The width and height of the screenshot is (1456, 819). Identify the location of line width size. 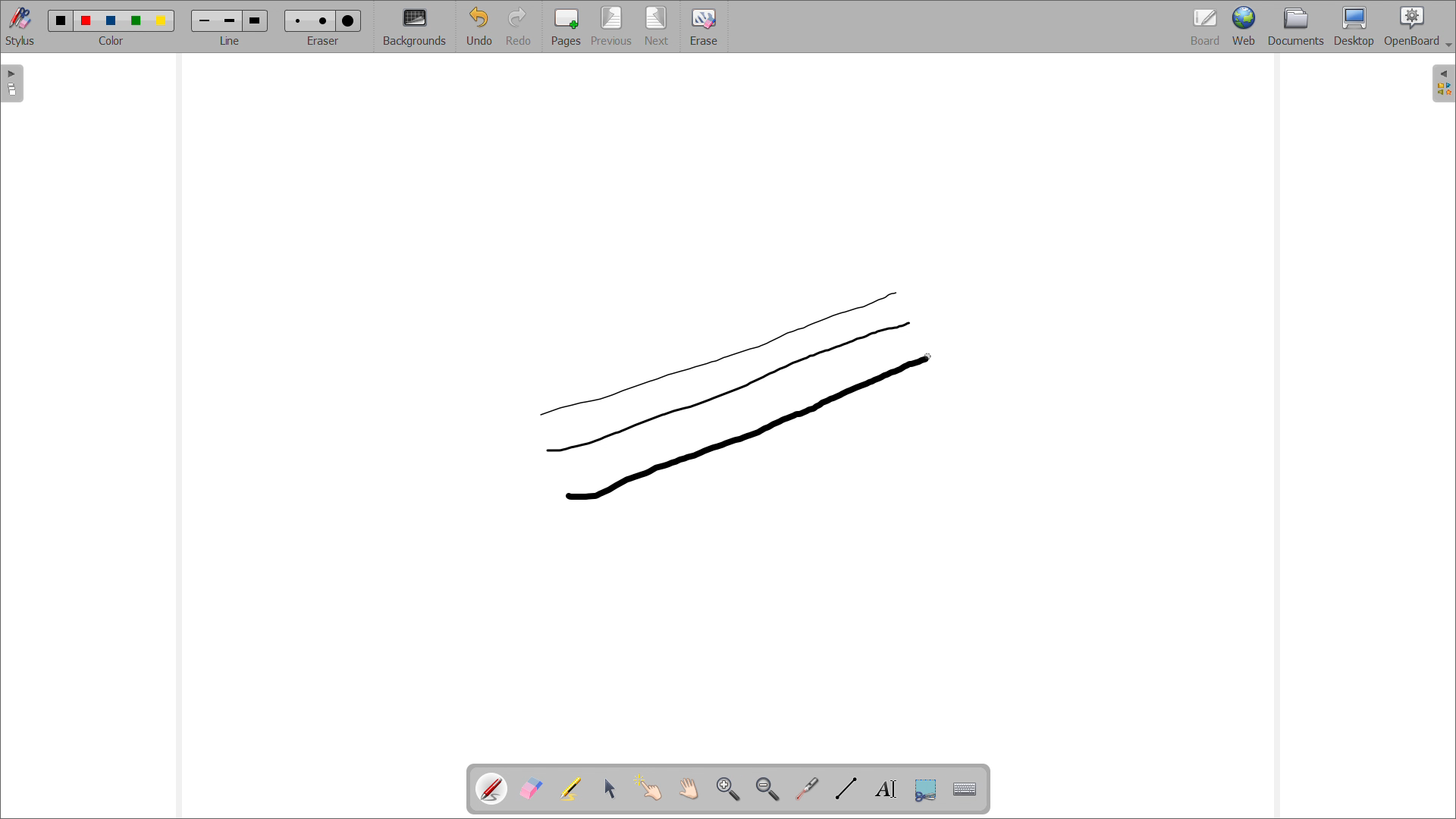
(231, 22).